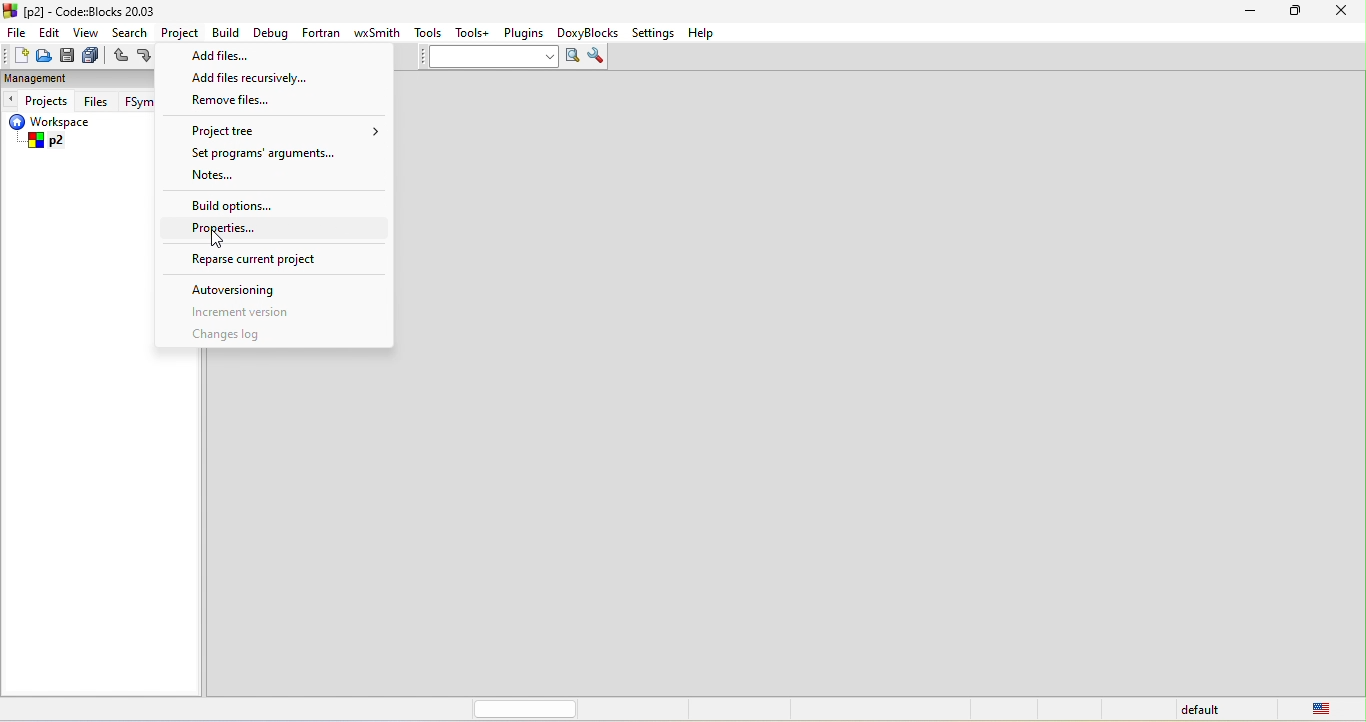  I want to click on undo, so click(122, 56).